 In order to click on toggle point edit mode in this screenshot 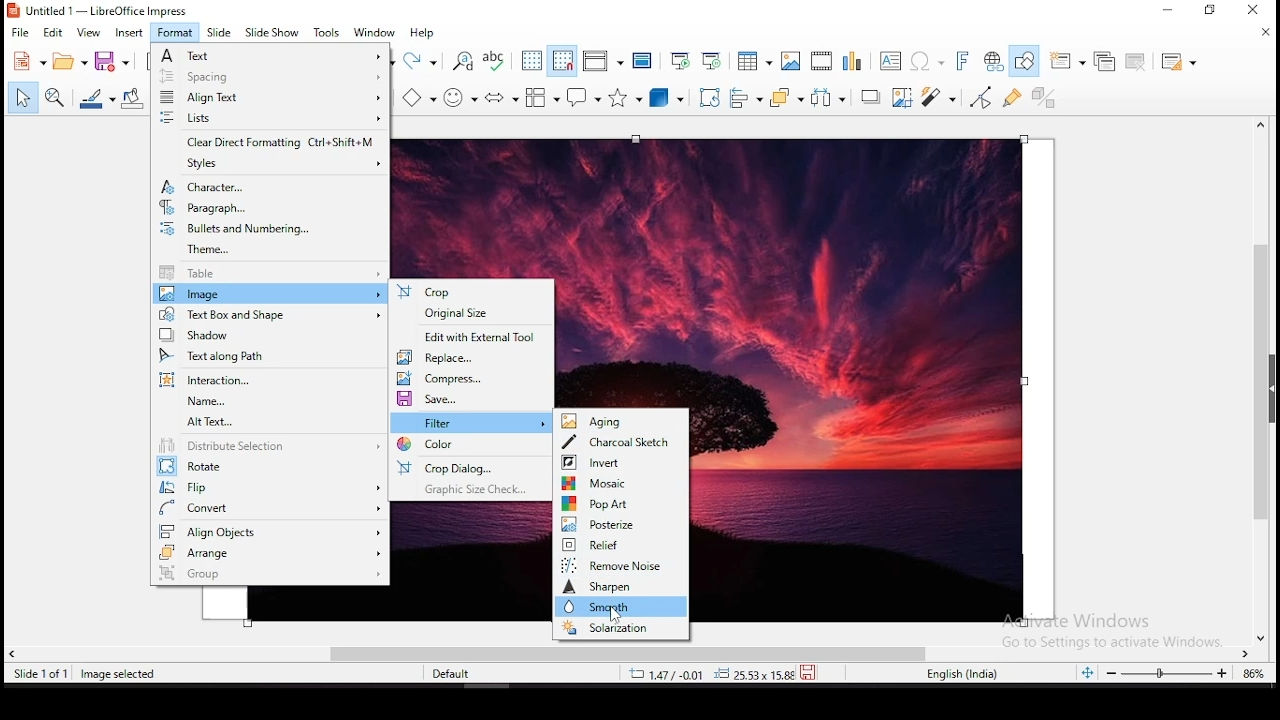, I will do `click(980, 97)`.